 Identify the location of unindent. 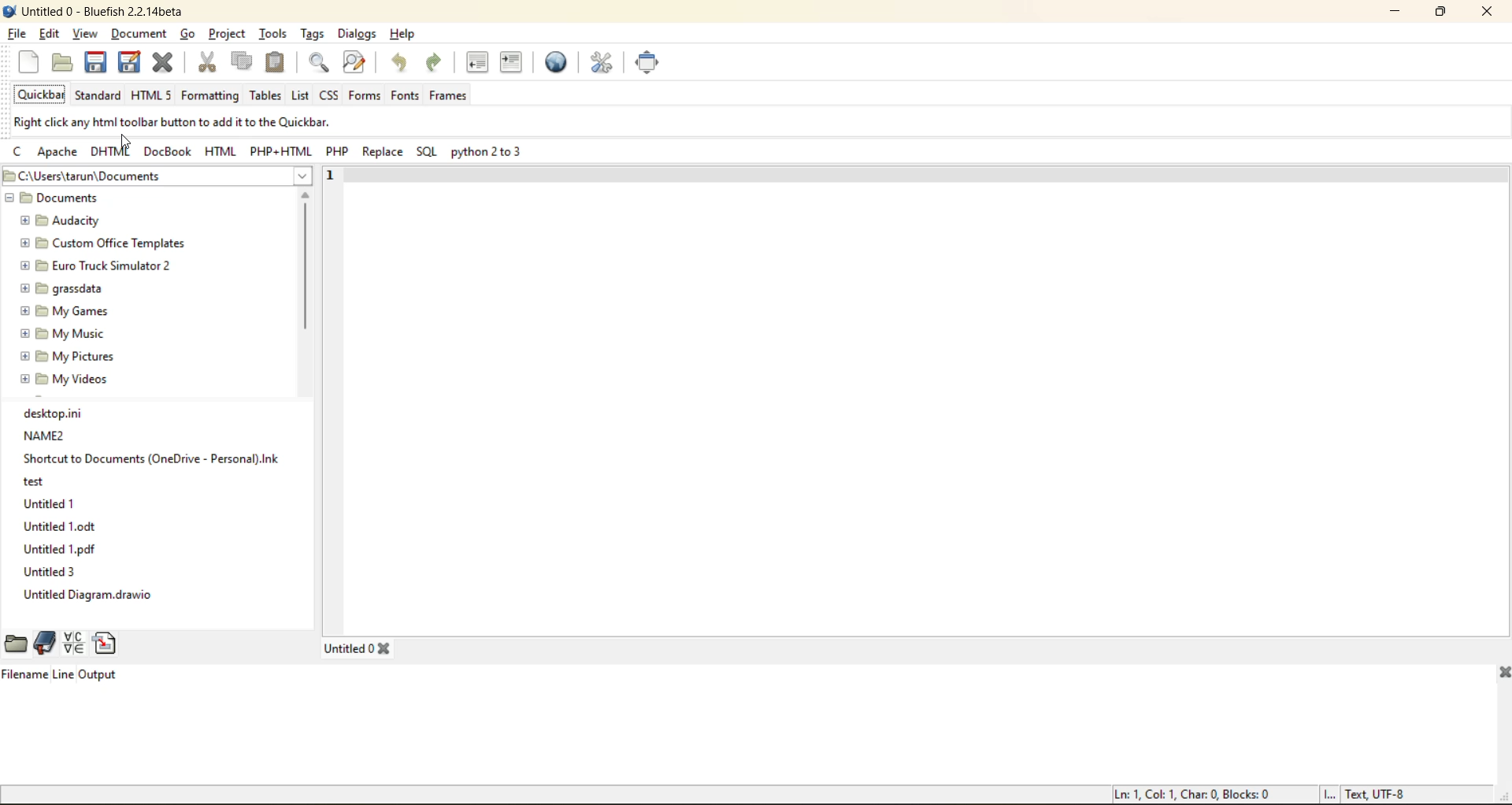
(477, 61).